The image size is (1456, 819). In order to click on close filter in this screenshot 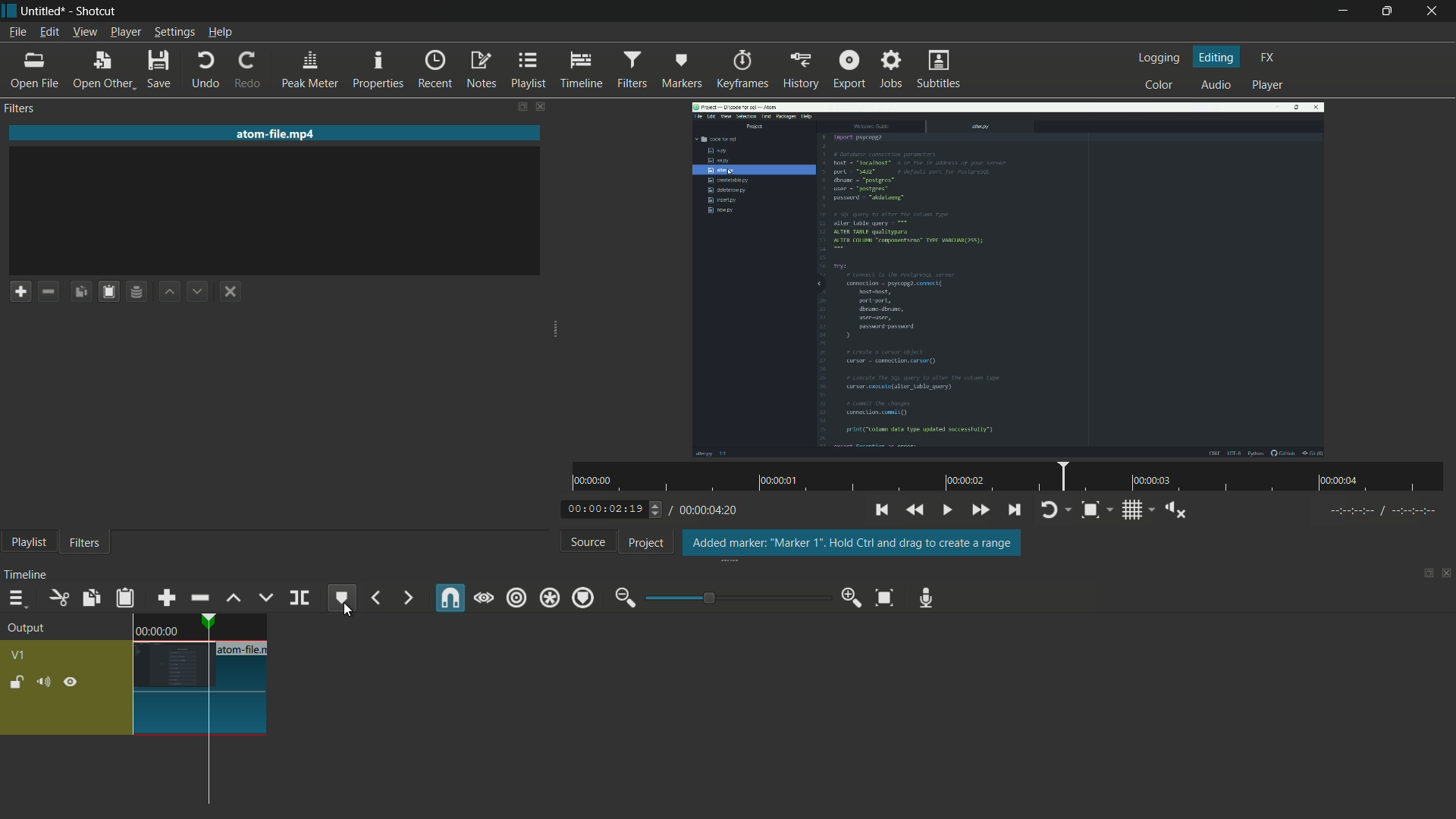, I will do `click(540, 106)`.